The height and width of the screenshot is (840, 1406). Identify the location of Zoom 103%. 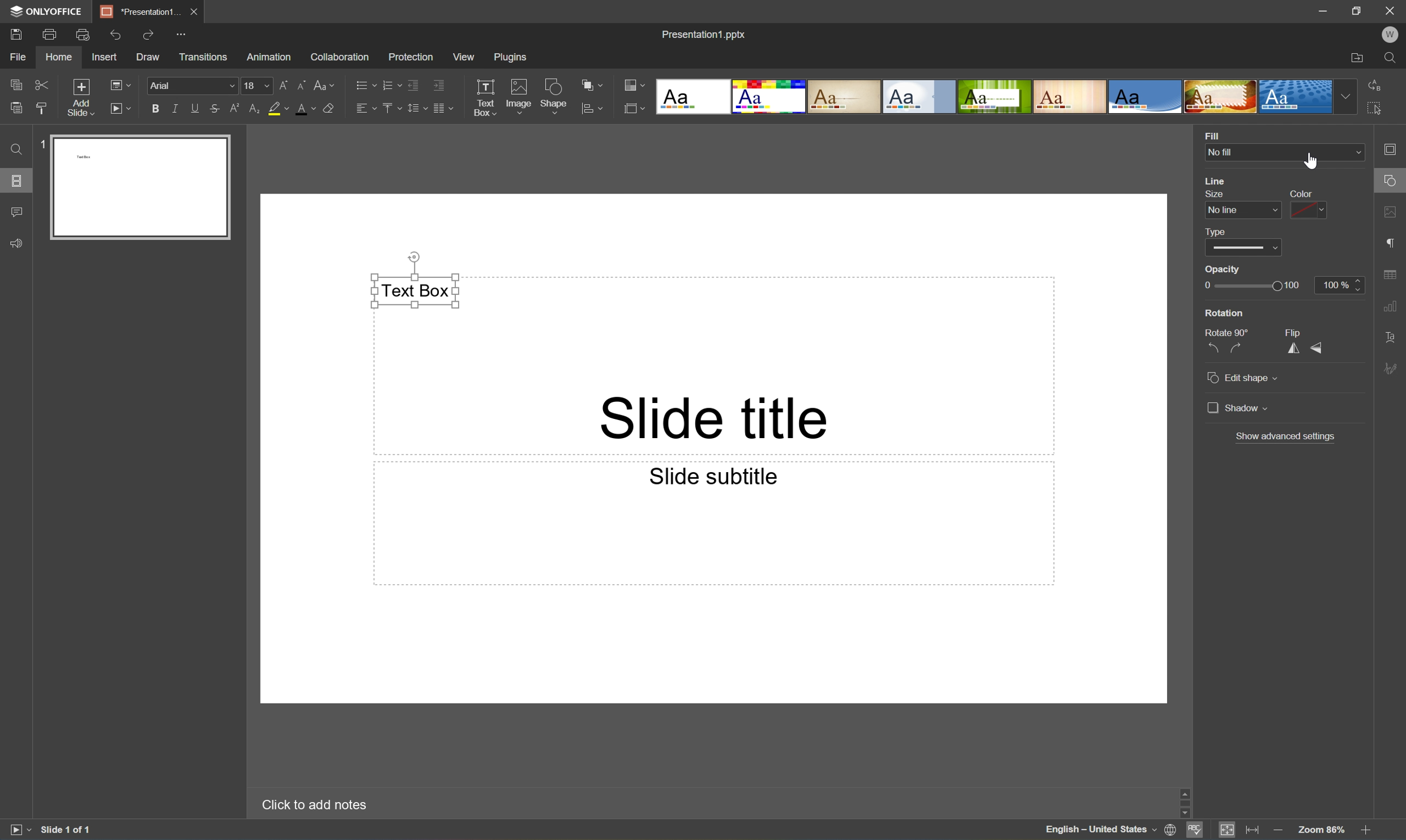
(1321, 830).